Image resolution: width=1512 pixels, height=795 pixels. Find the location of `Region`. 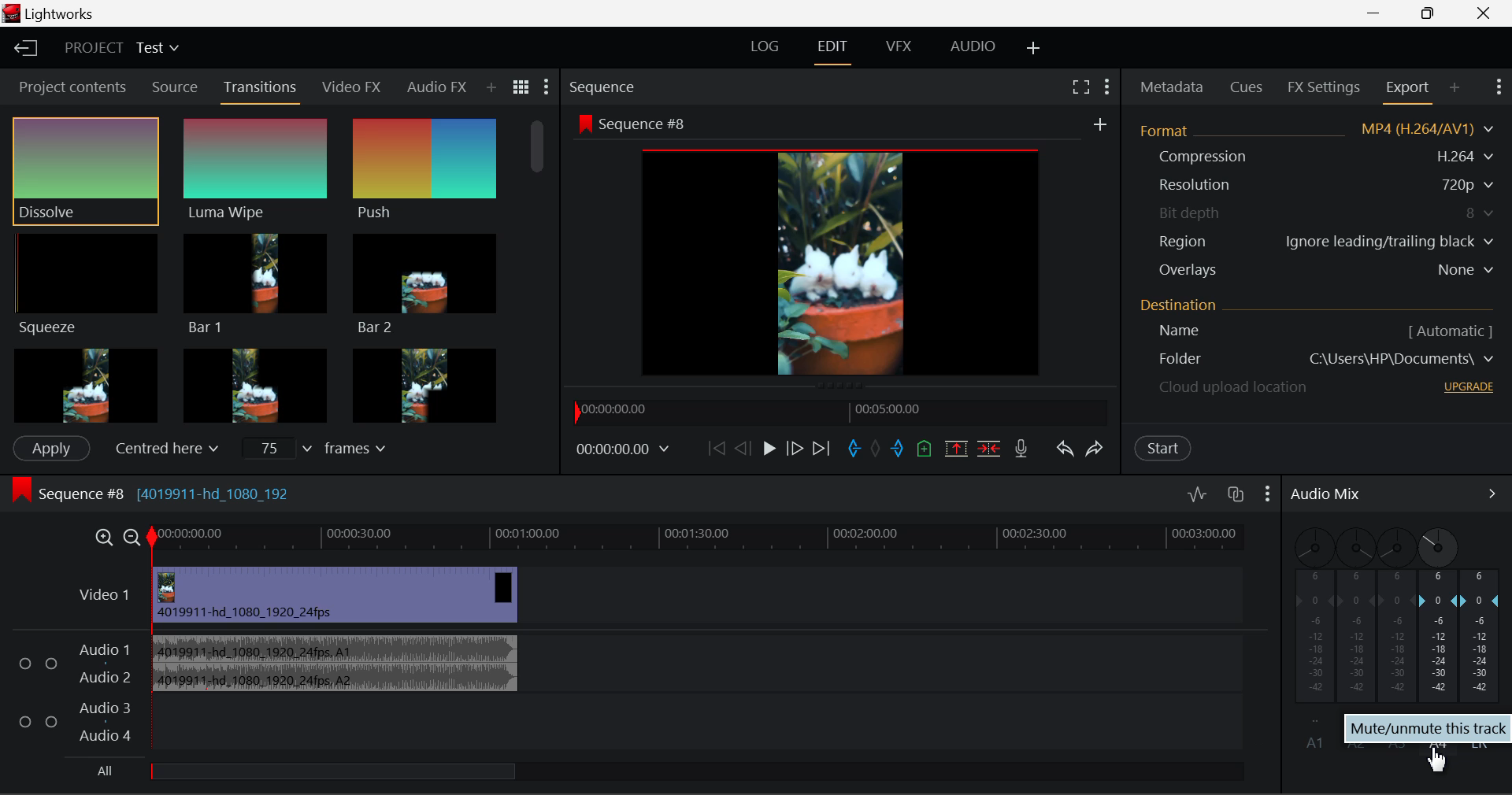

Region is located at coordinates (1314, 242).